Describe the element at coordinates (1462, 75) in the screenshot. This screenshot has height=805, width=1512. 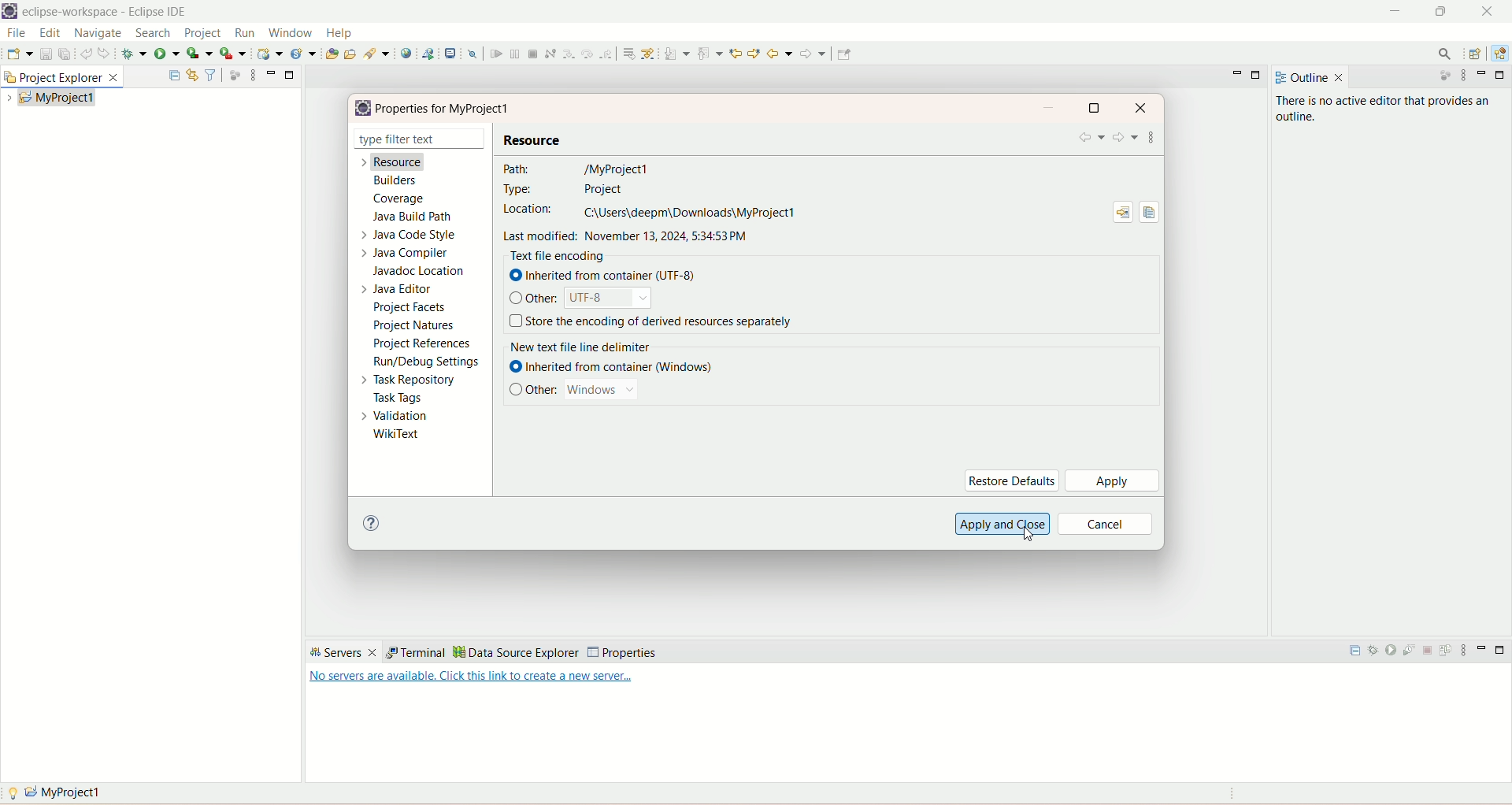
I see `view menu` at that location.